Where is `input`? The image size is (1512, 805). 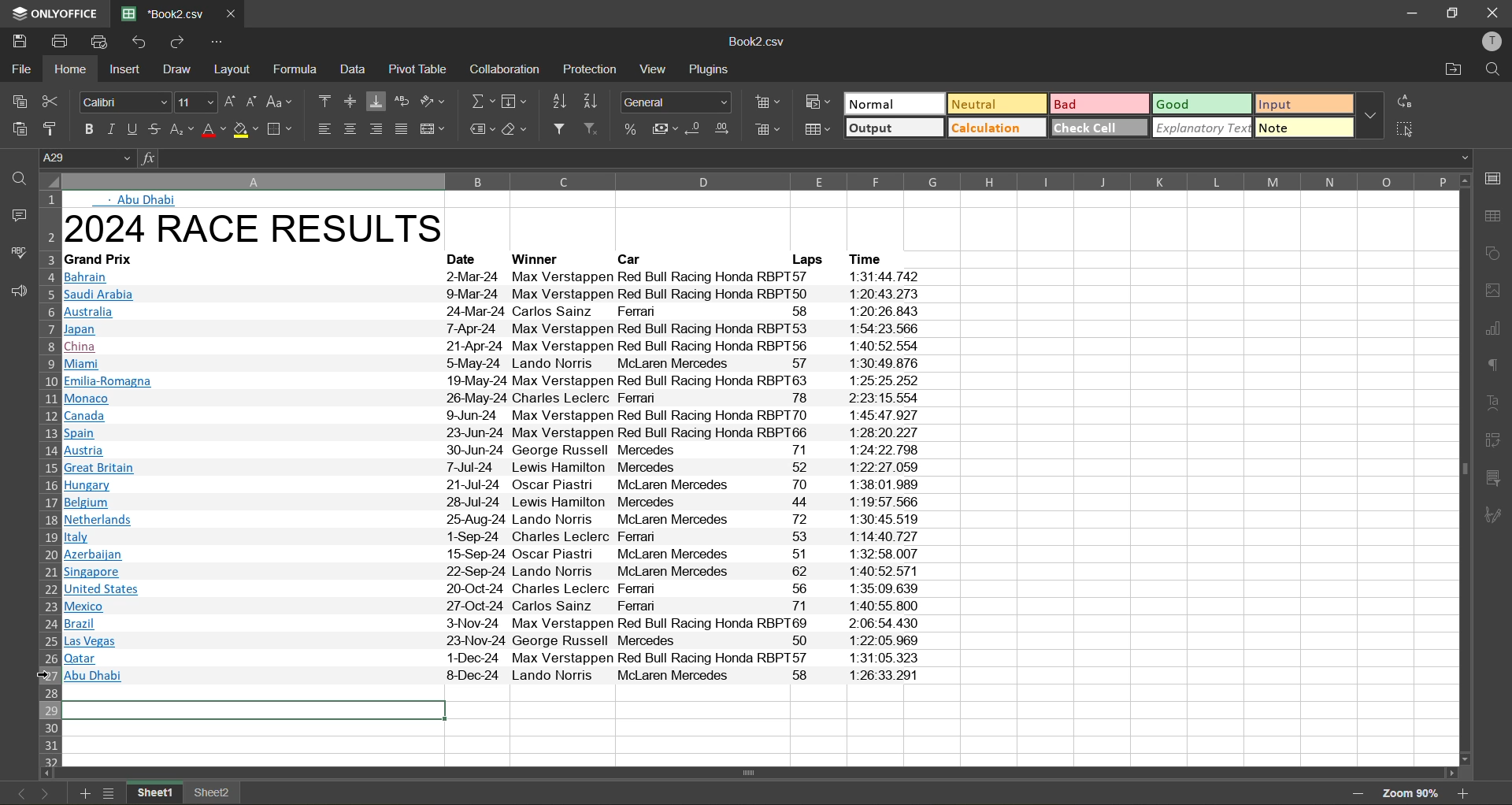
input is located at coordinates (1303, 103).